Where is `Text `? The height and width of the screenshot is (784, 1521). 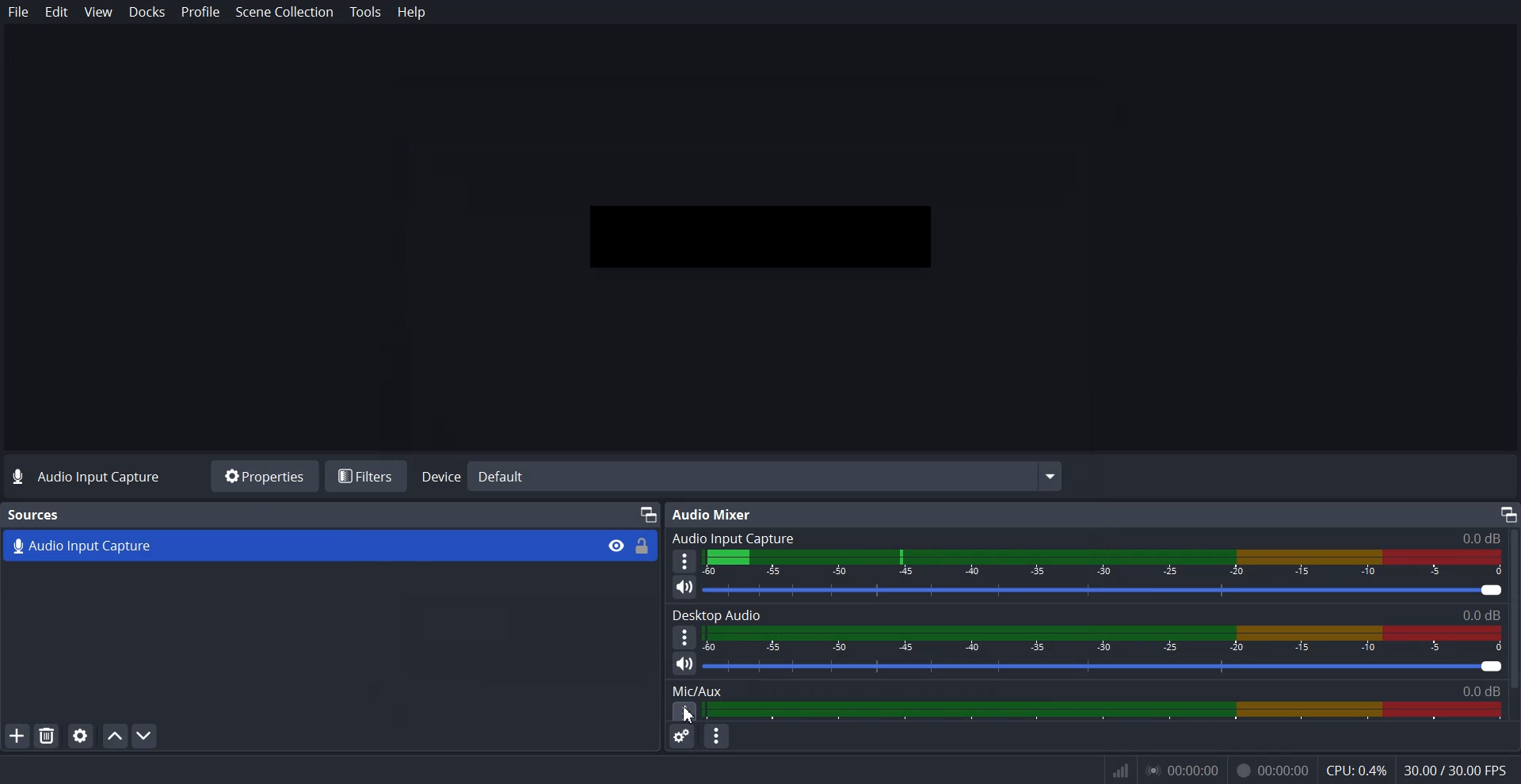 Text  is located at coordinates (89, 478).